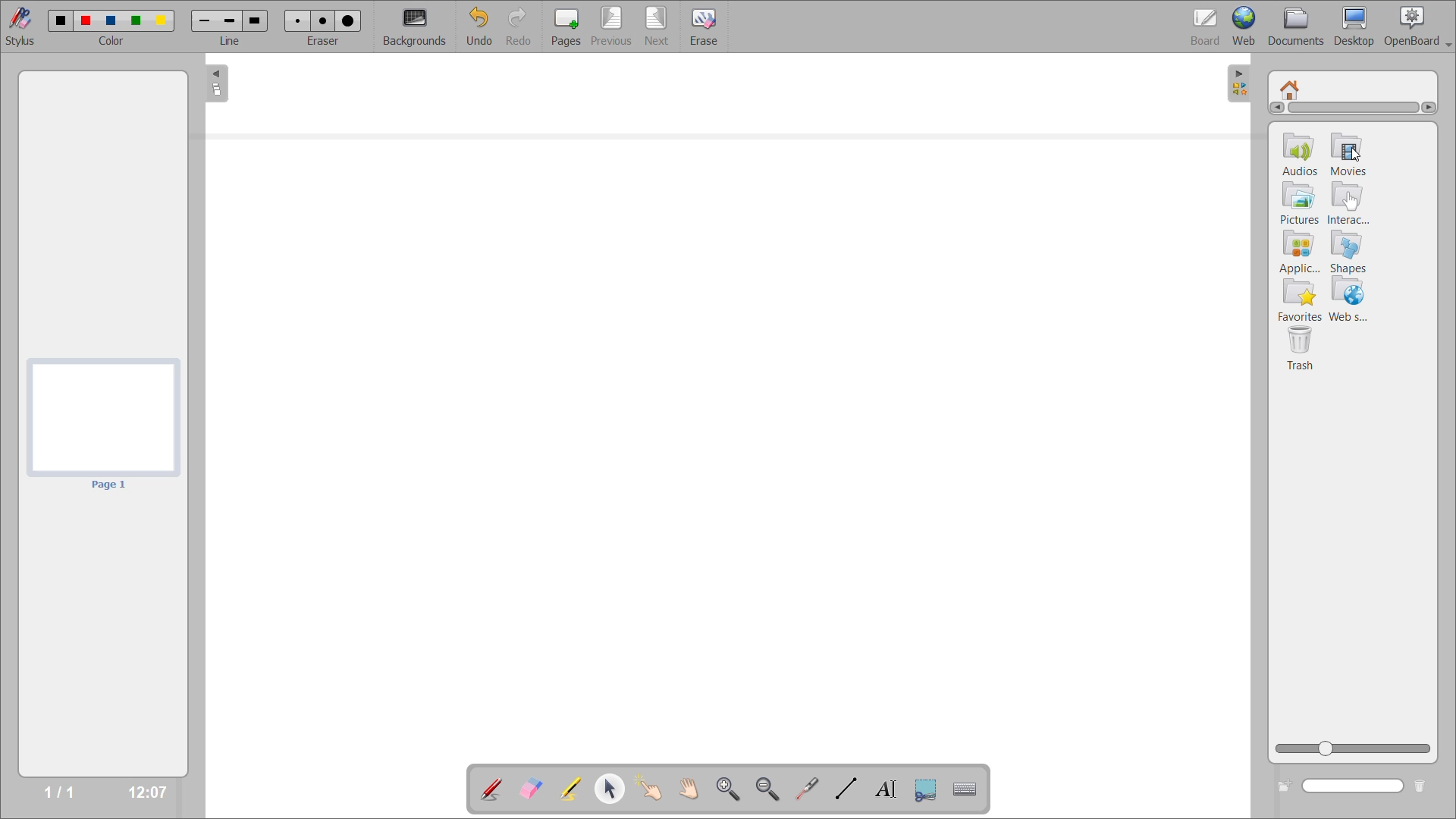  What do you see at coordinates (478, 27) in the screenshot?
I see `undo` at bounding box center [478, 27].